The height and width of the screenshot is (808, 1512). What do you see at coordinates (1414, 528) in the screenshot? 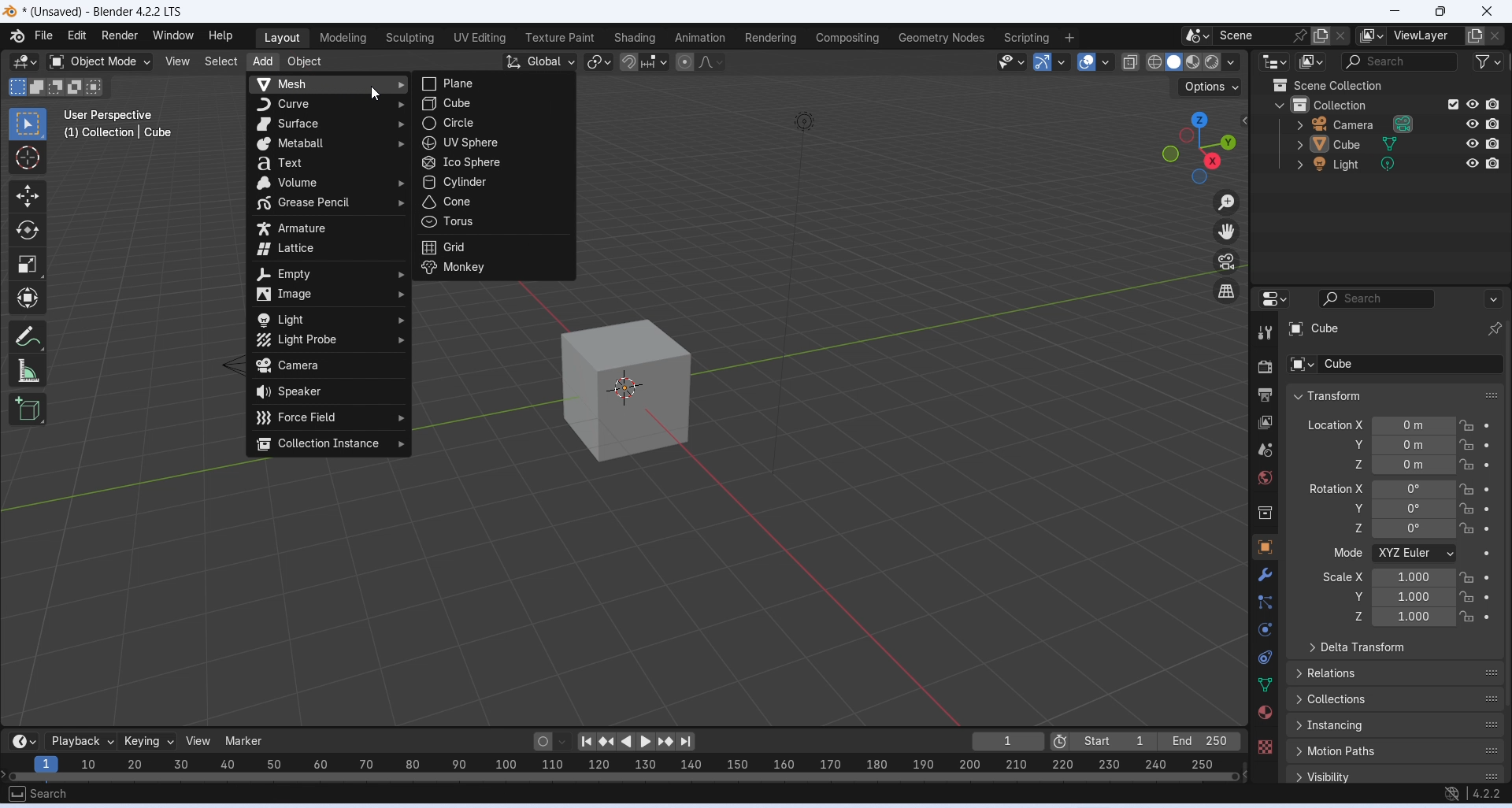
I see `euler rotation` at bounding box center [1414, 528].